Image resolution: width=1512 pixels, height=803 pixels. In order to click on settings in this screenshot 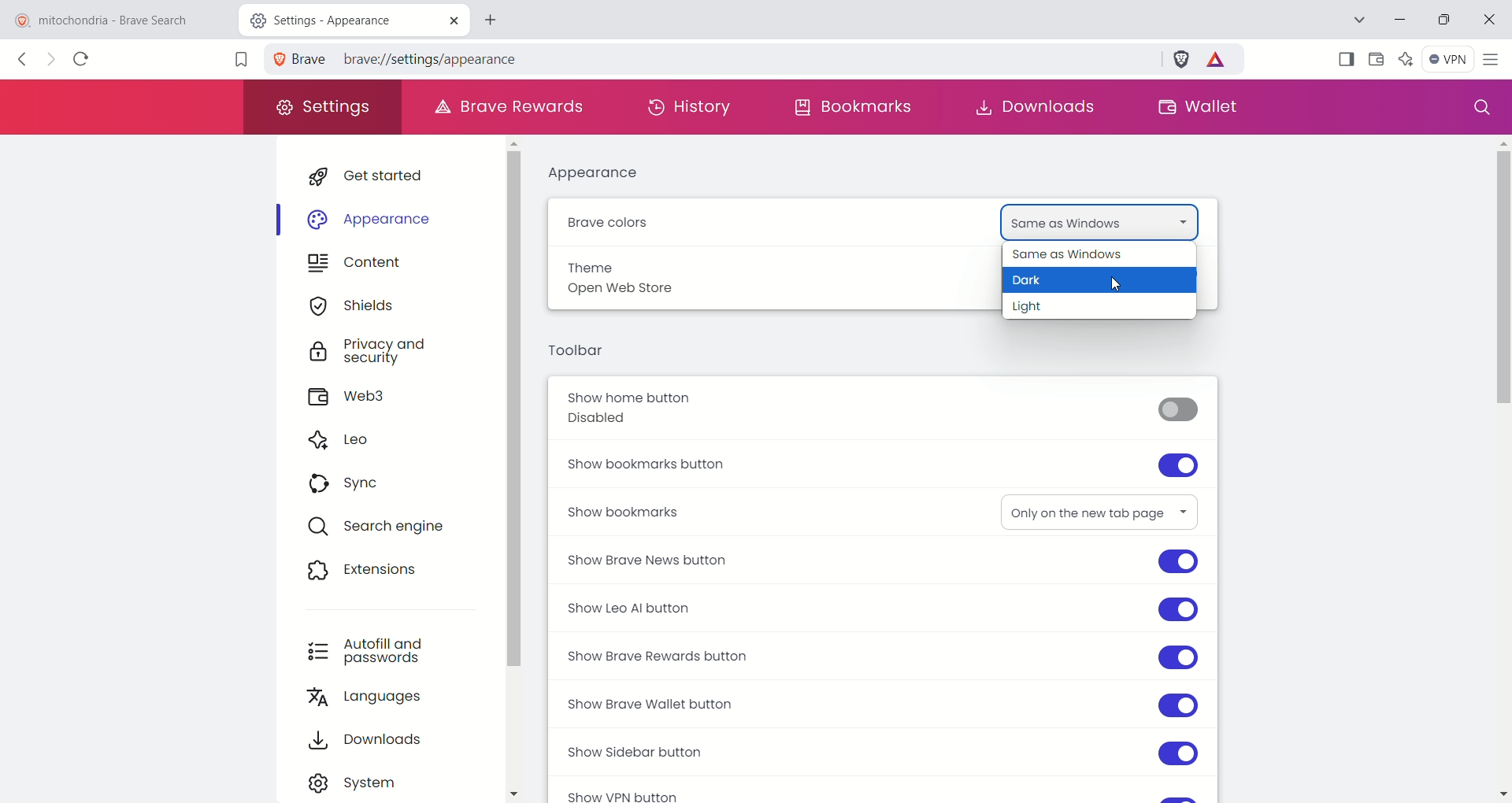, I will do `click(322, 109)`.